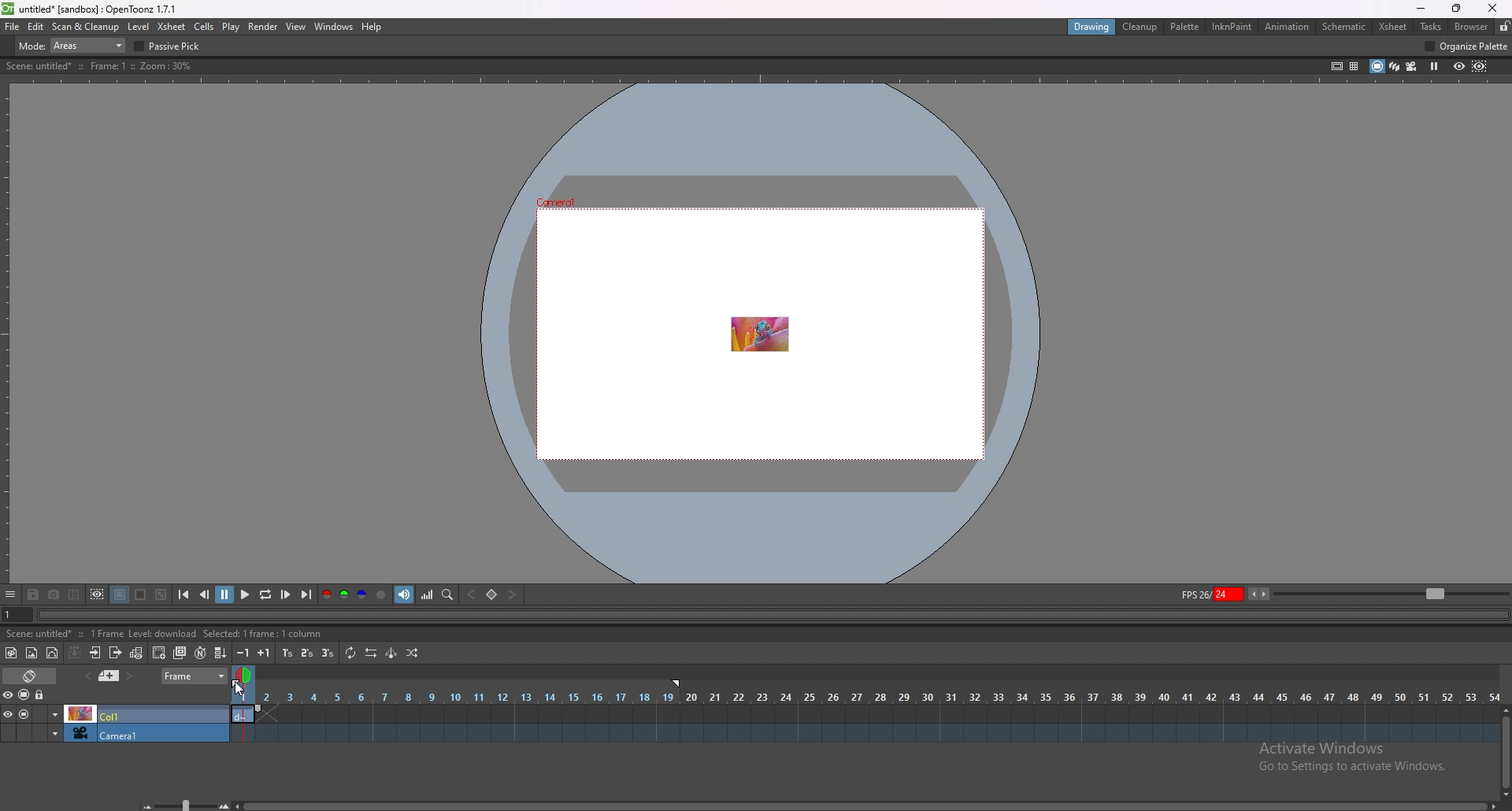  I want to click on first frame, so click(184, 595).